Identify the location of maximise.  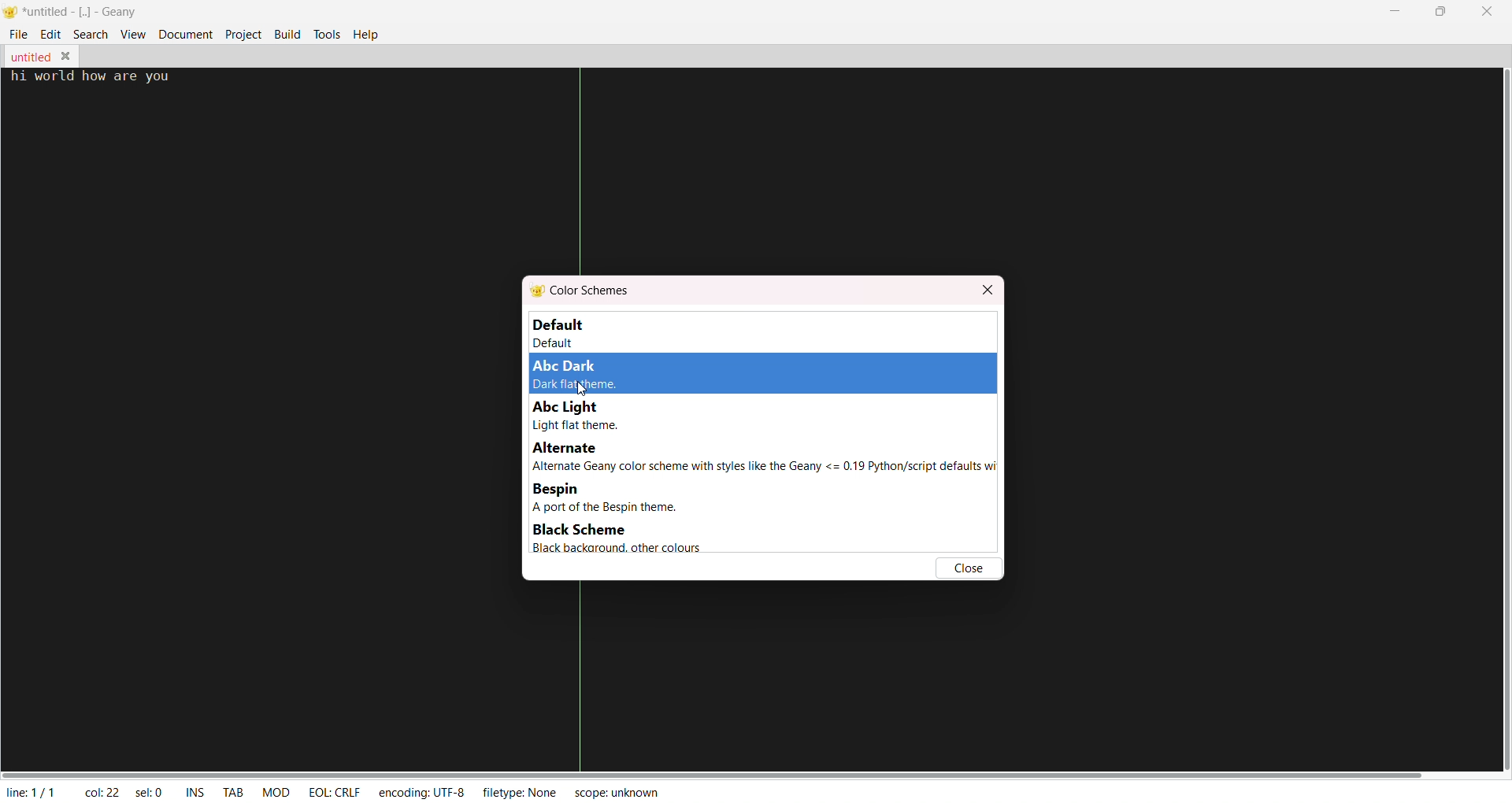
(1443, 9).